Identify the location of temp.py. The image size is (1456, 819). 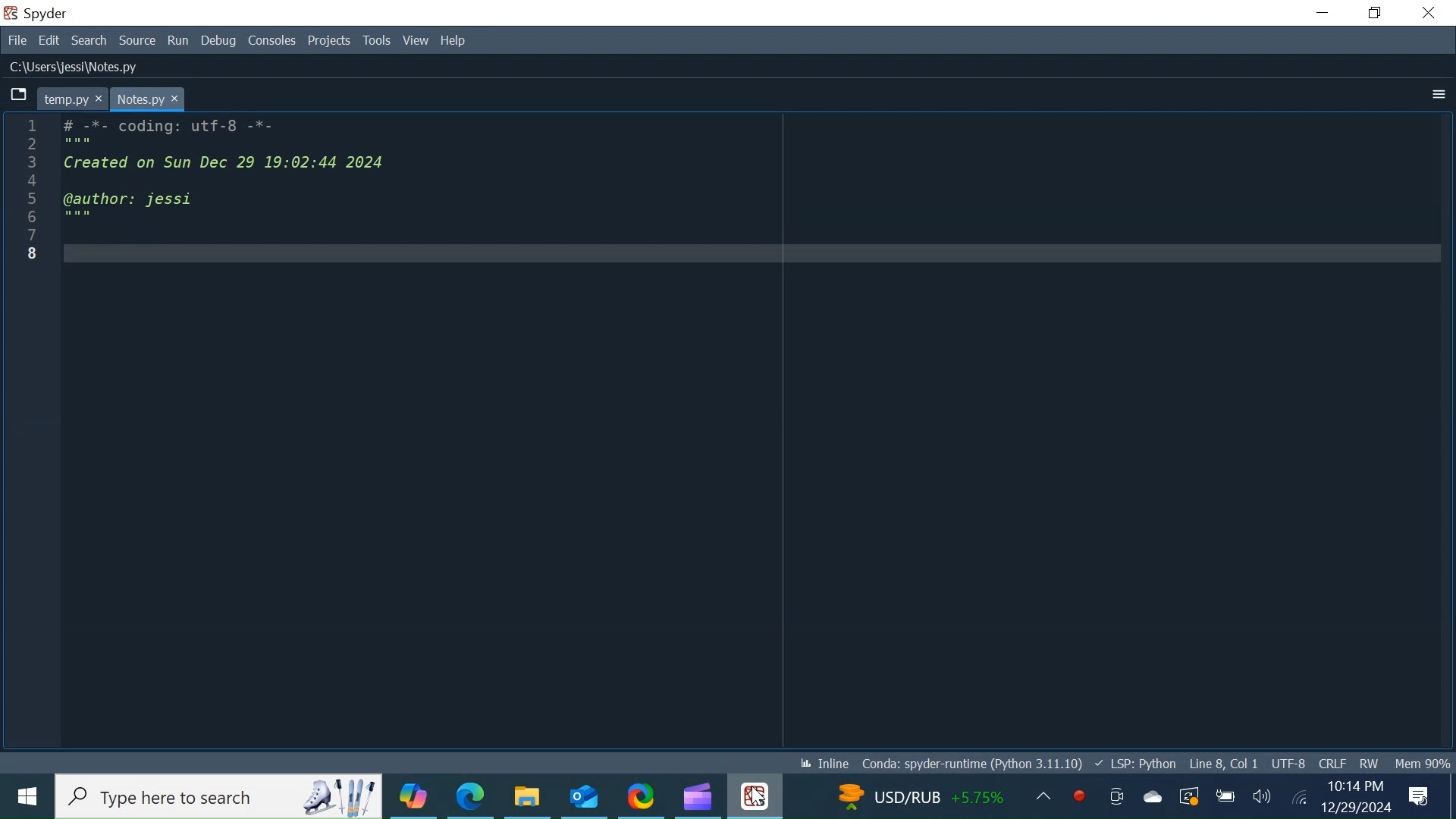
(72, 99).